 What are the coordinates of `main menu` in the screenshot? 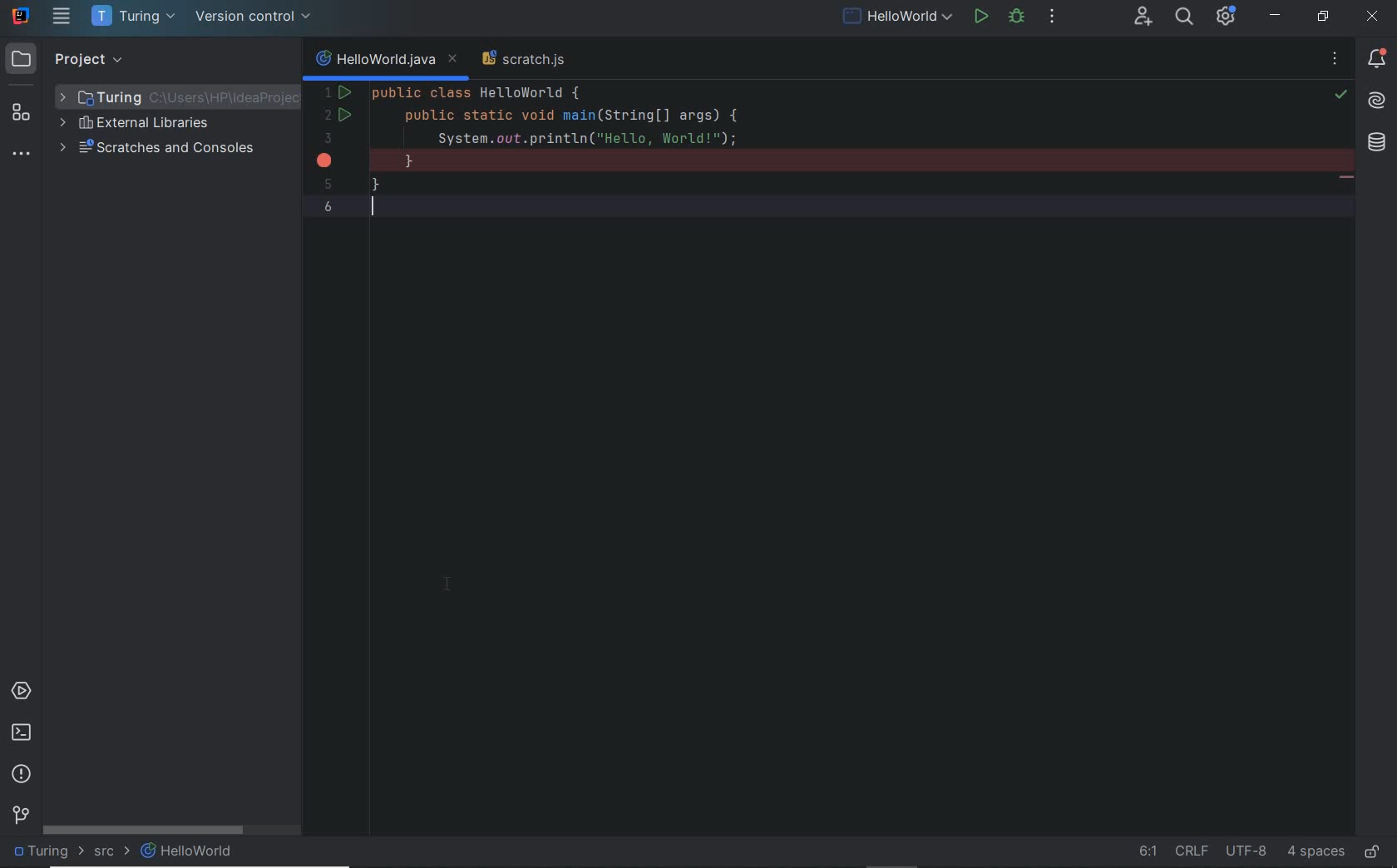 It's located at (62, 16).